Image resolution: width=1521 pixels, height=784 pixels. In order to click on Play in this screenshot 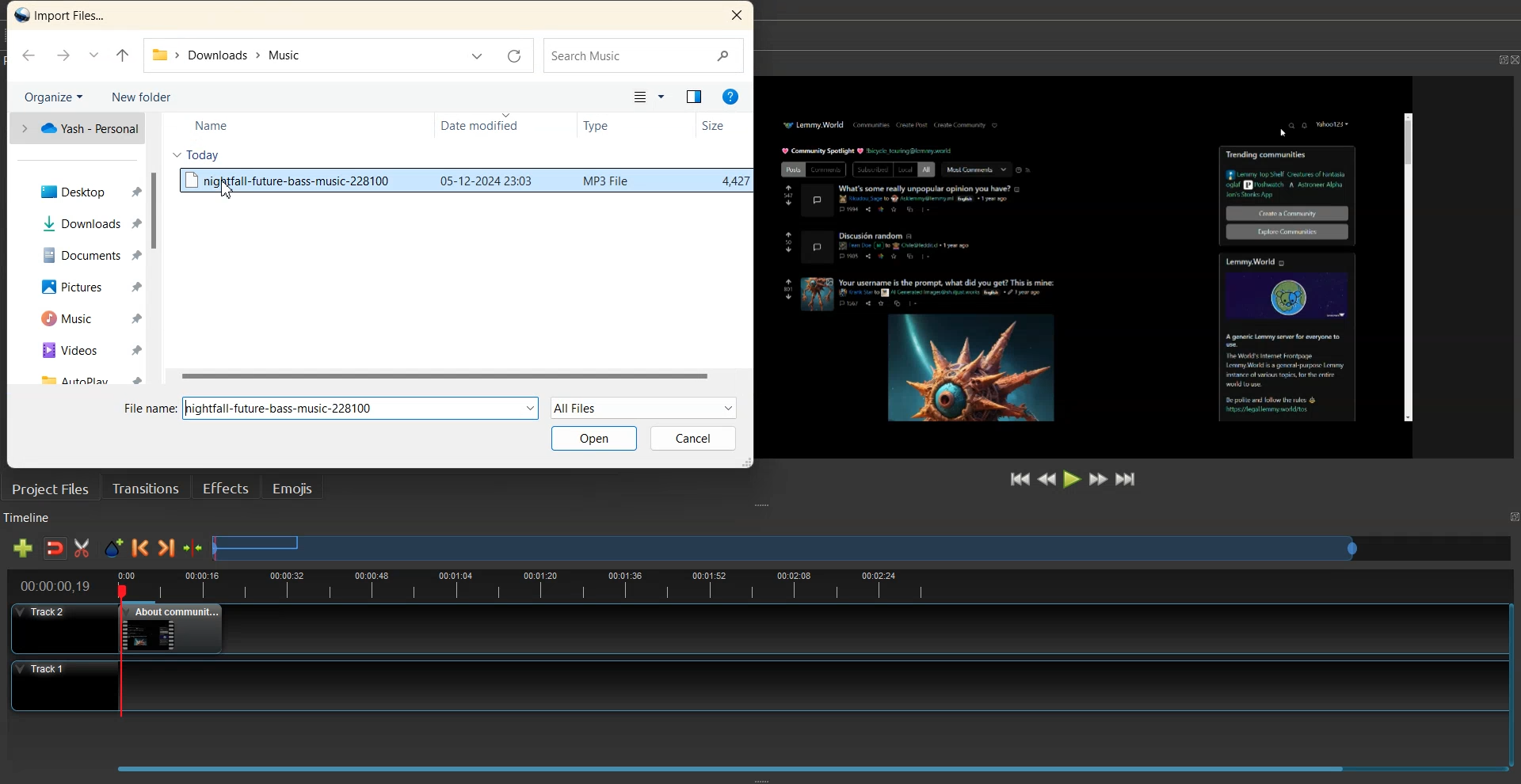, I will do `click(1073, 478)`.